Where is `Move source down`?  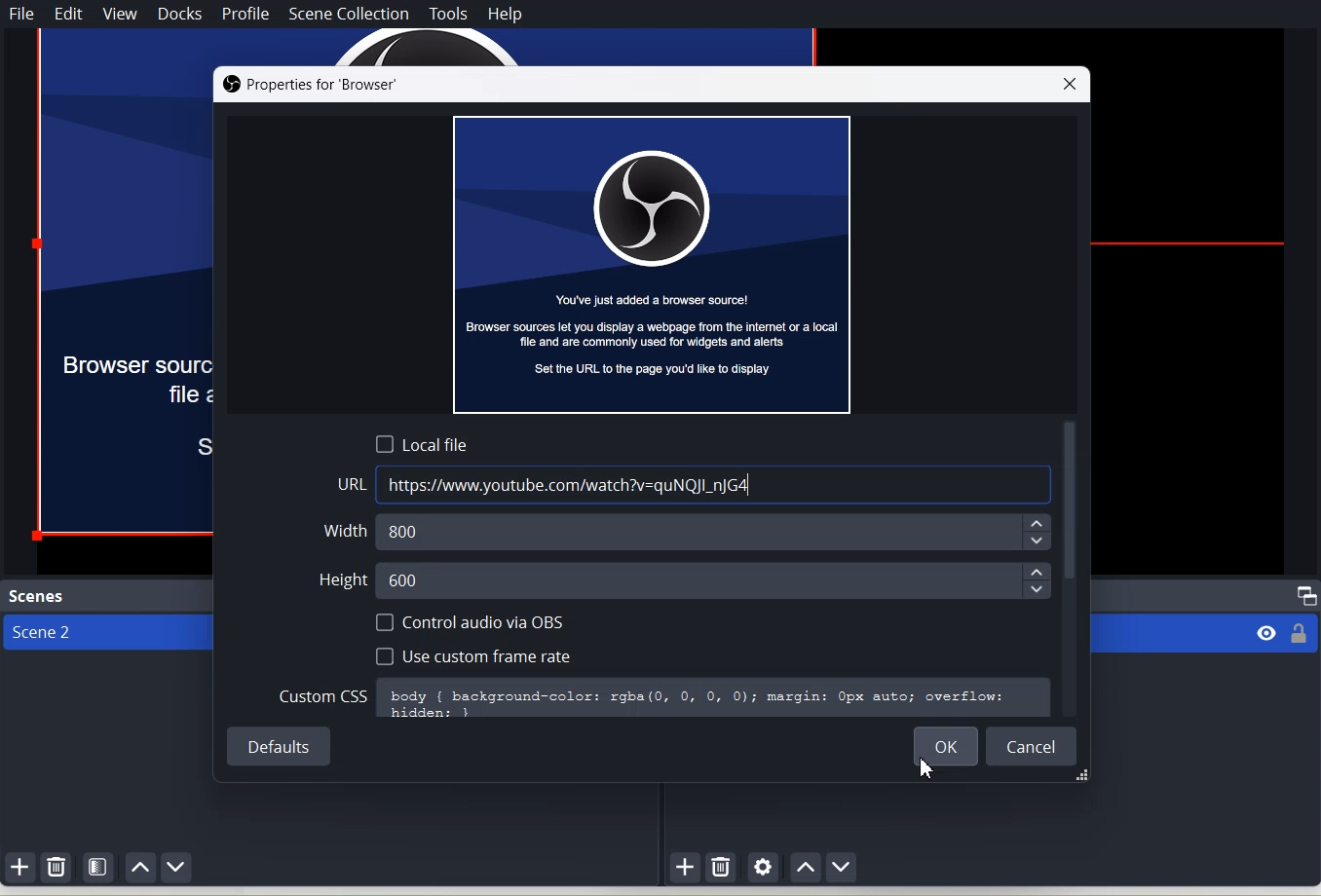 Move source down is located at coordinates (843, 867).